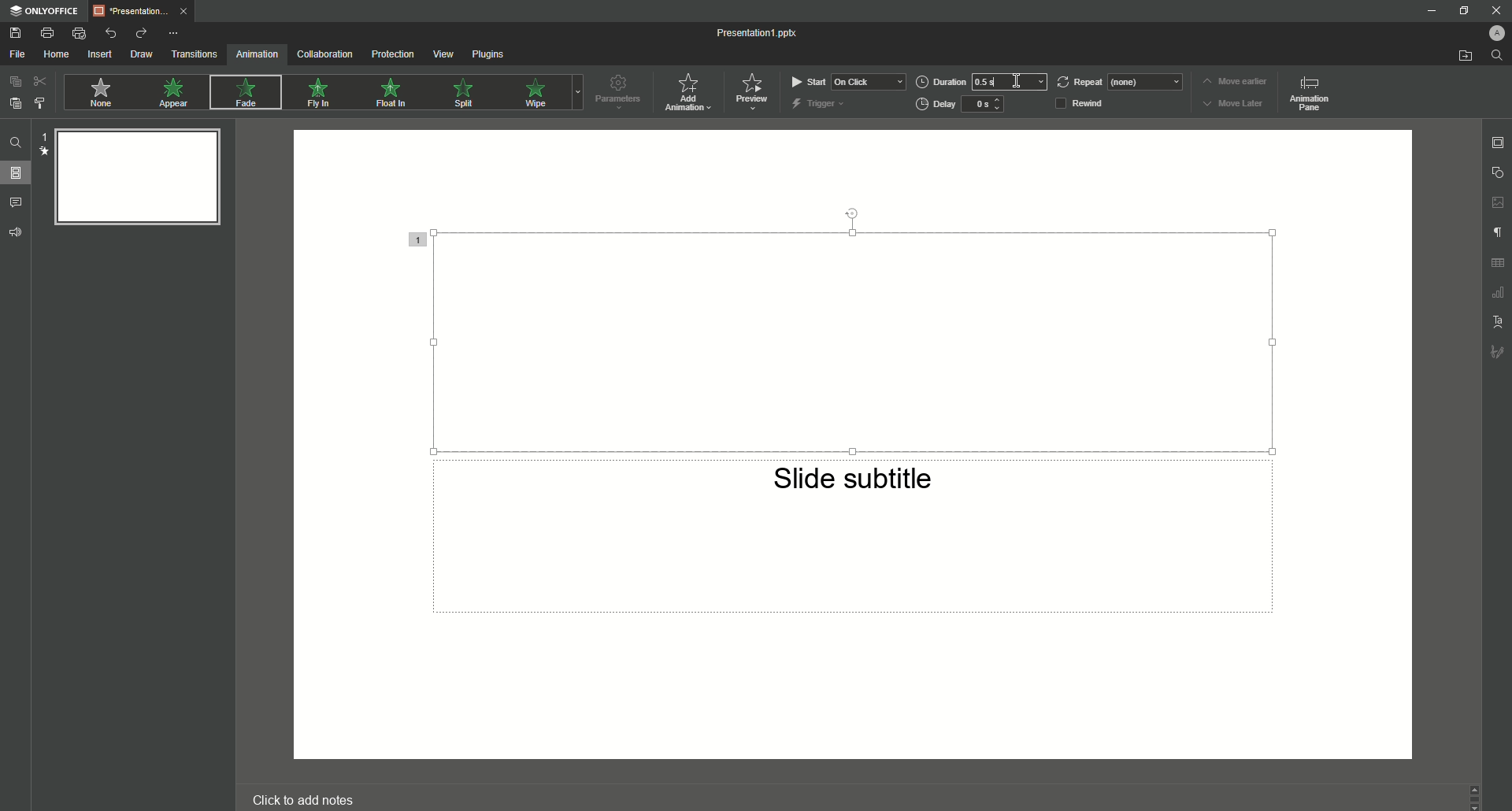 Image resolution: width=1512 pixels, height=811 pixels. I want to click on None, so click(100, 94).